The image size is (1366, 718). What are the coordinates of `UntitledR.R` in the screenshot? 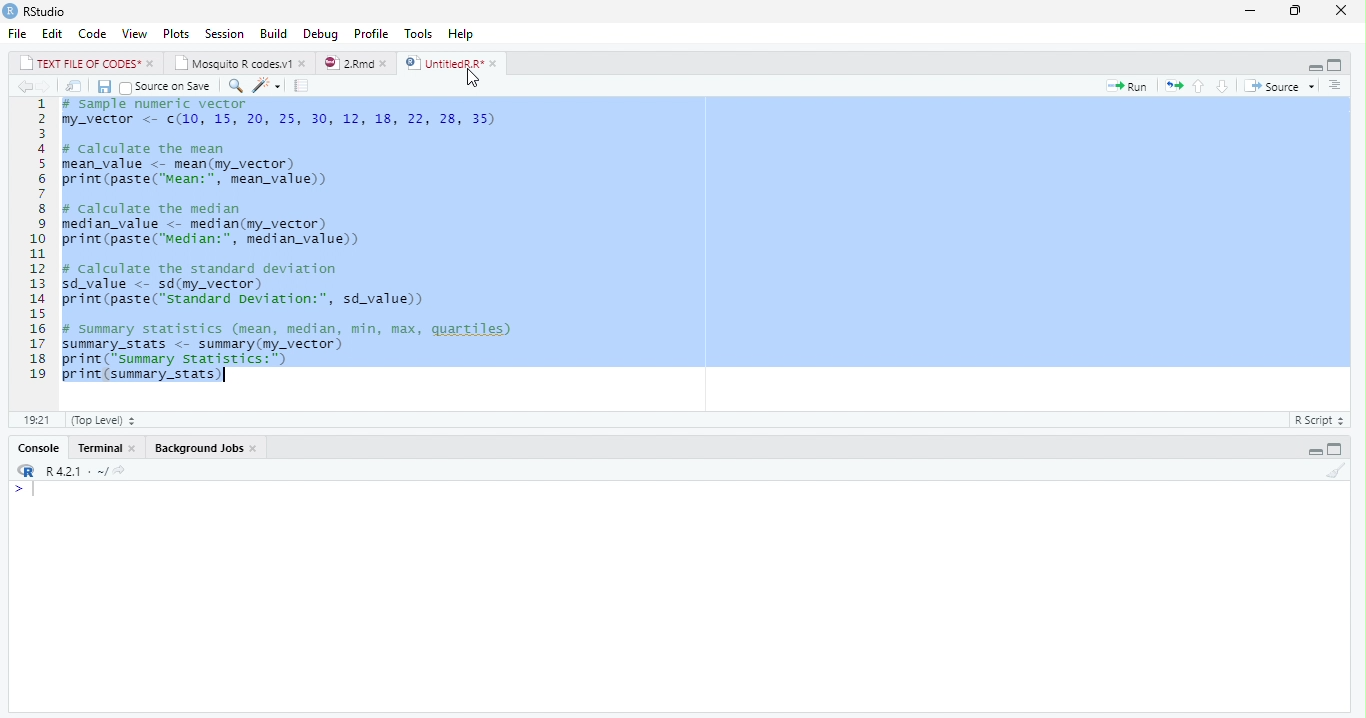 It's located at (443, 63).